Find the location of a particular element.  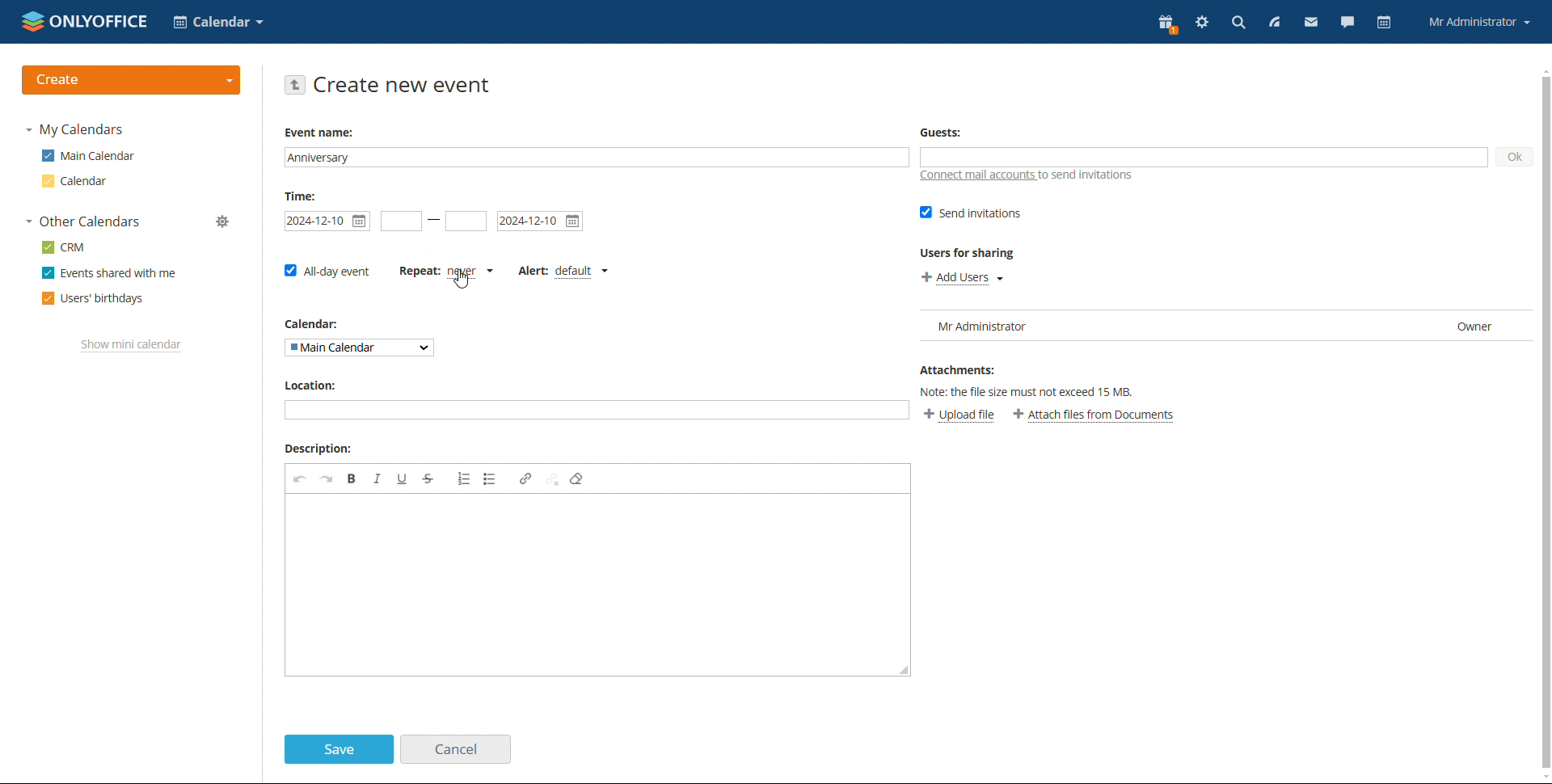

calendar is located at coordinates (74, 183).